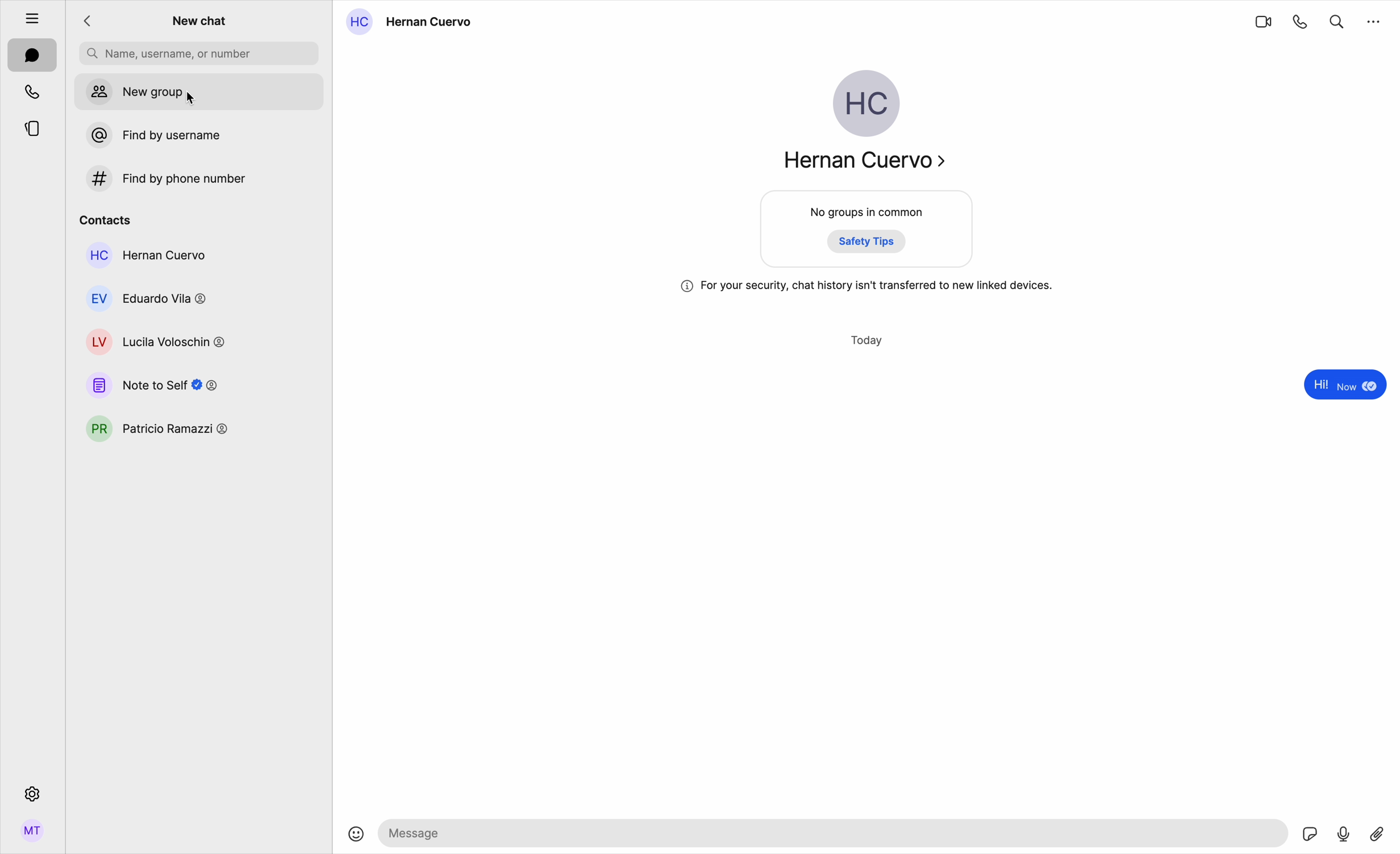  Describe the element at coordinates (34, 91) in the screenshot. I see `calls` at that location.